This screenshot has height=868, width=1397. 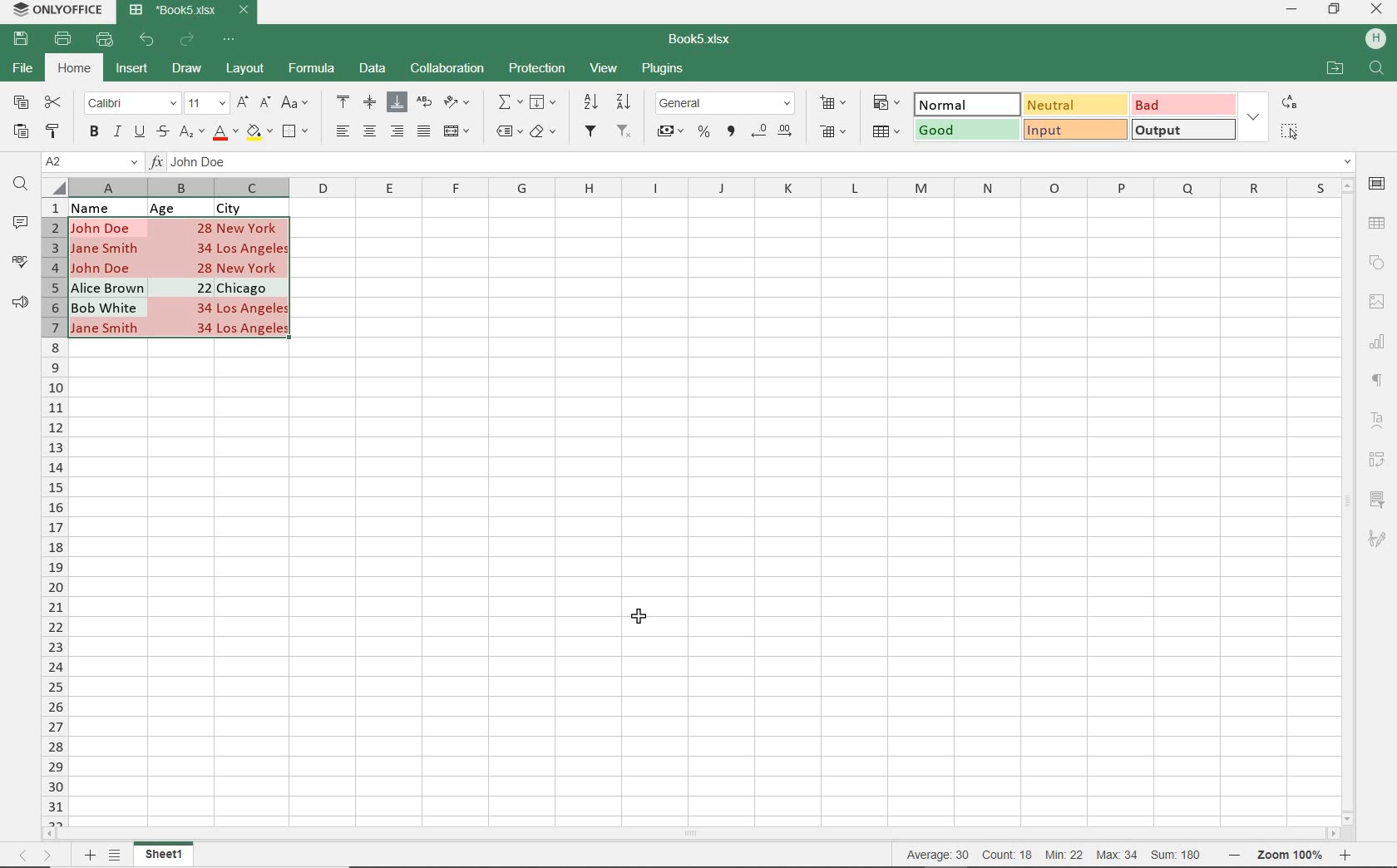 I want to click on REMOVE FILTER, so click(x=625, y=130).